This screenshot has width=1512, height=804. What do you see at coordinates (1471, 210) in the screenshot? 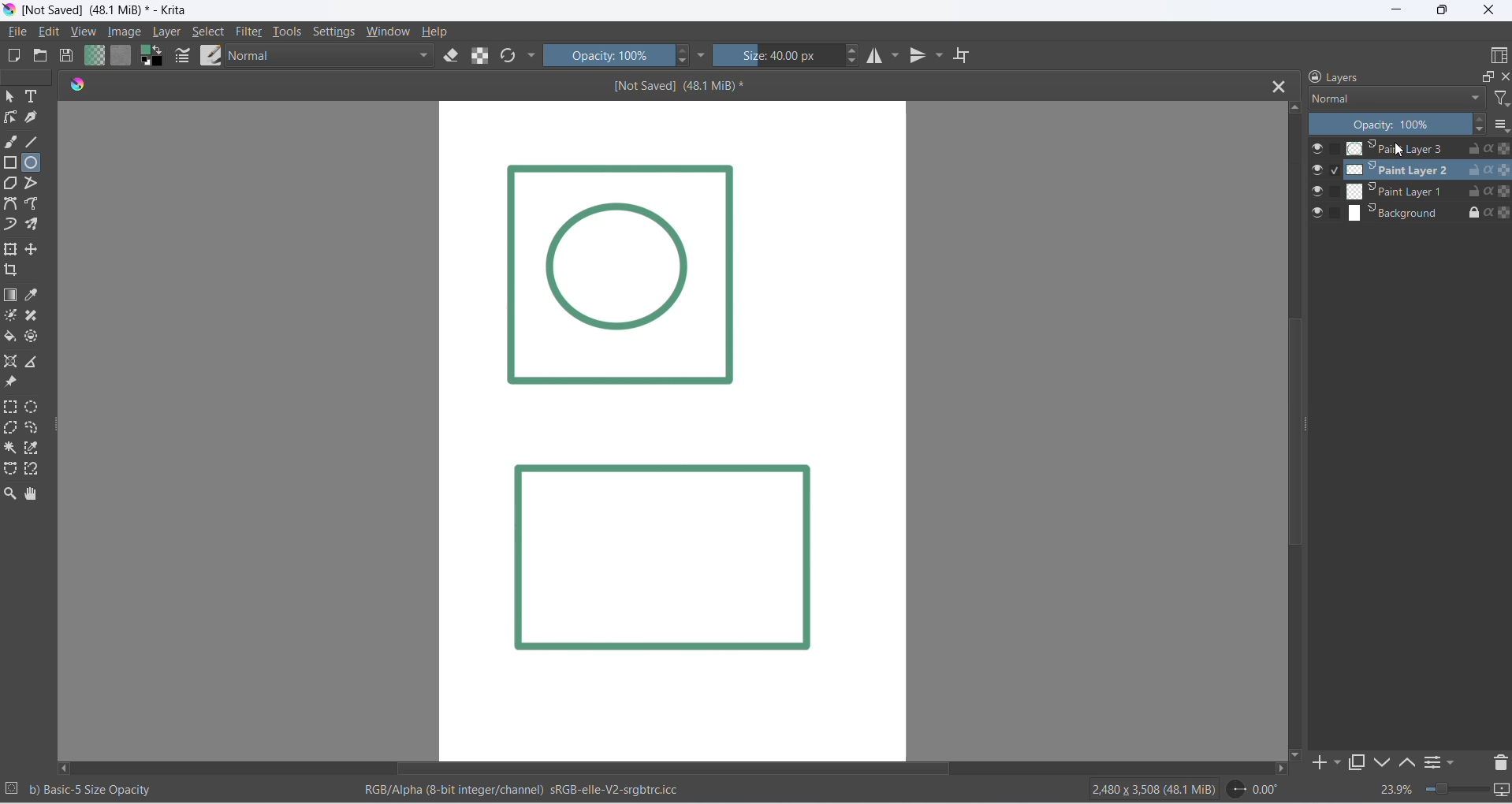
I see `lock` at bounding box center [1471, 210].